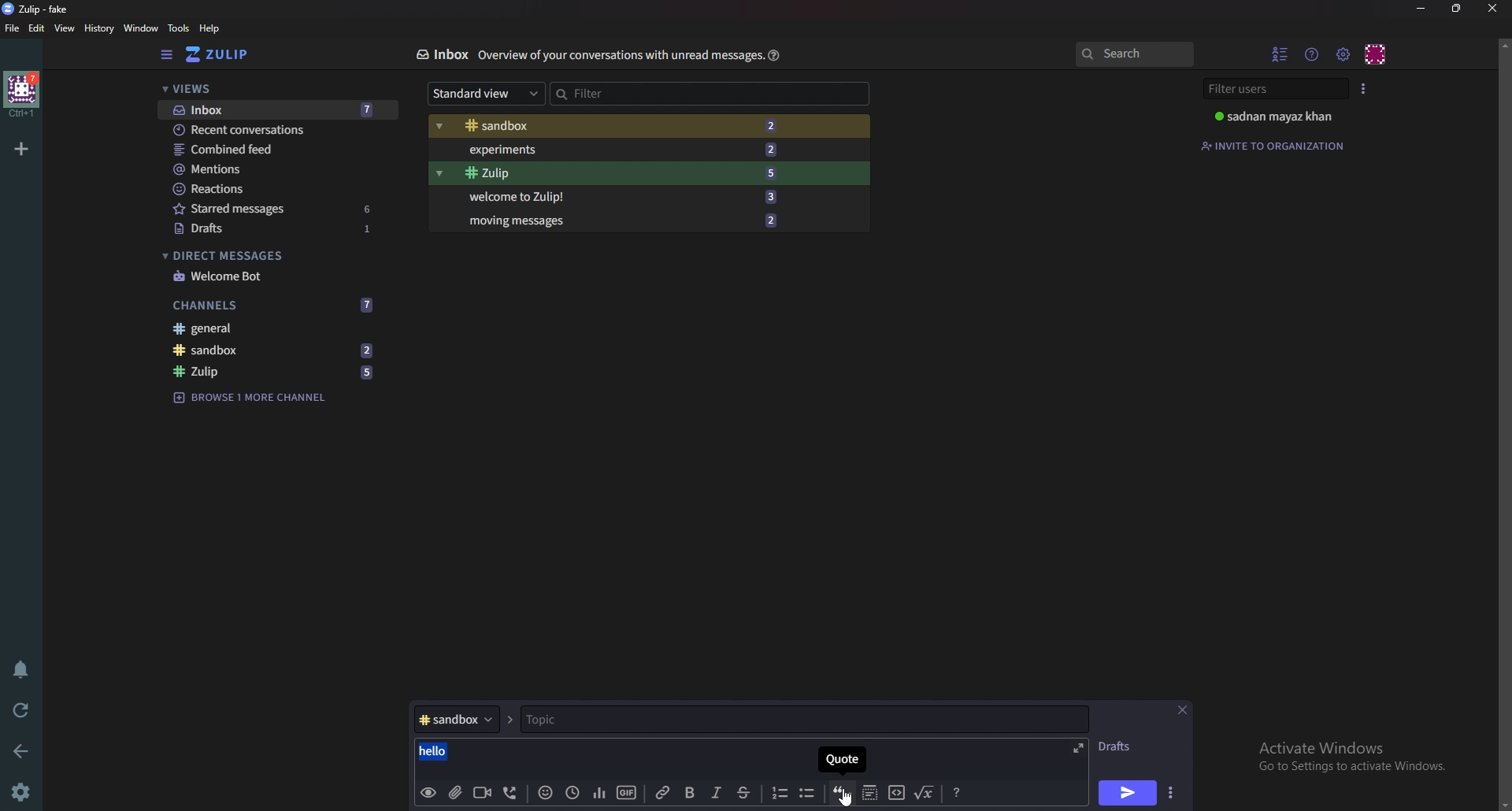 Image resolution: width=1512 pixels, height=811 pixels. I want to click on Code, so click(896, 793).